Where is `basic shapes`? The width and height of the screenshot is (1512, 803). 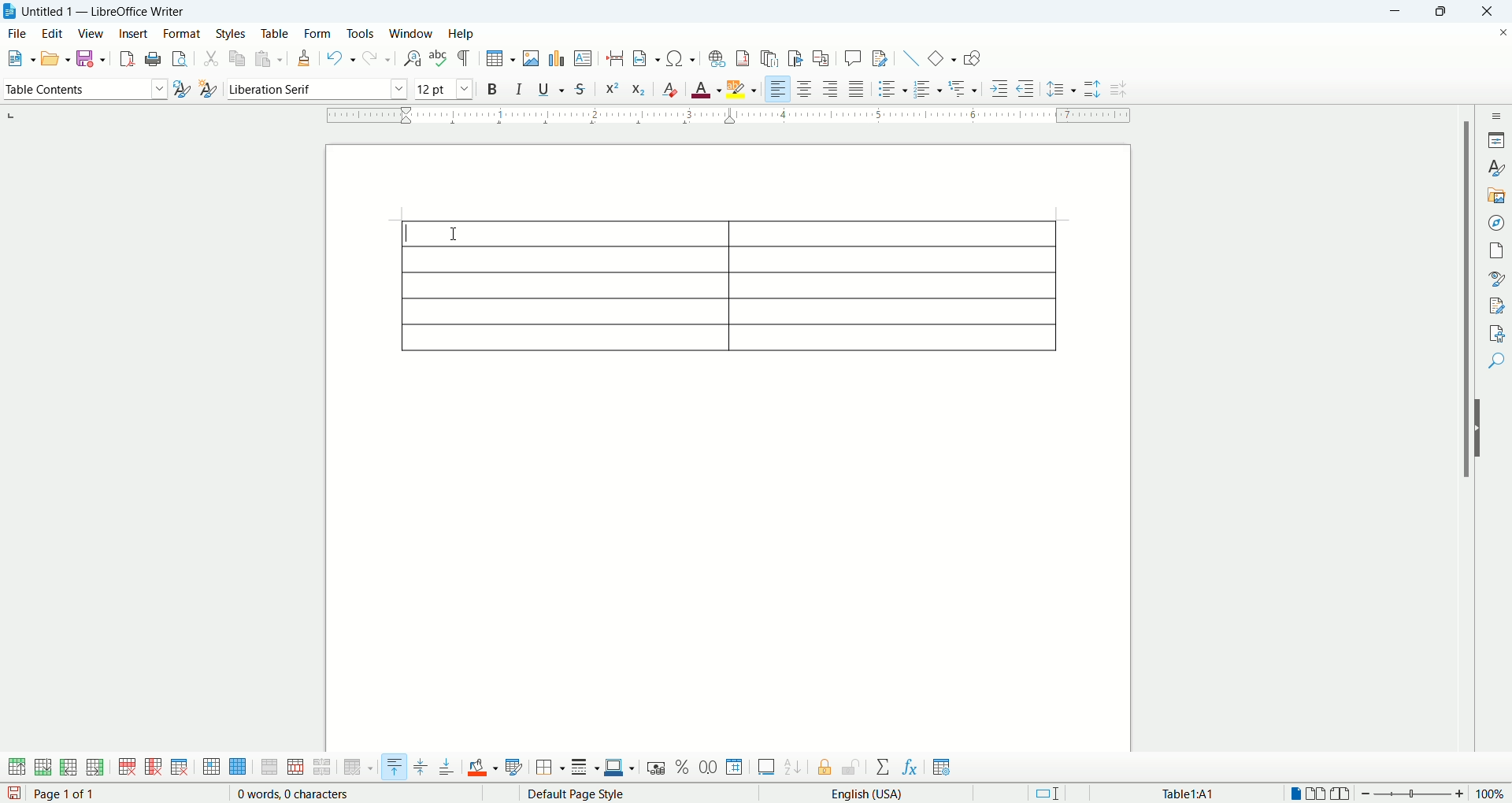 basic shapes is located at coordinates (941, 57).